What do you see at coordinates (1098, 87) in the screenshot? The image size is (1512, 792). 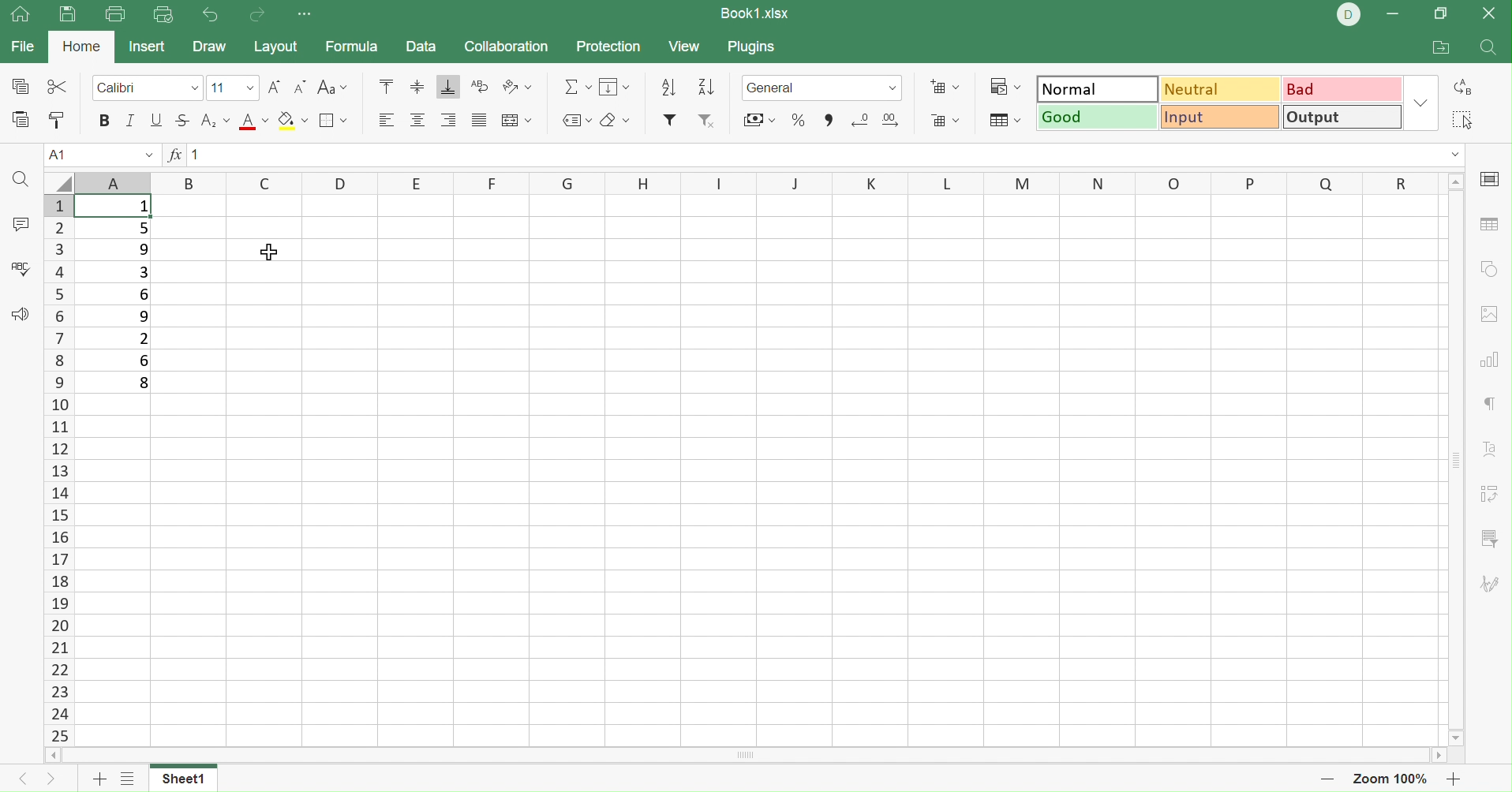 I see `Normal` at bounding box center [1098, 87].